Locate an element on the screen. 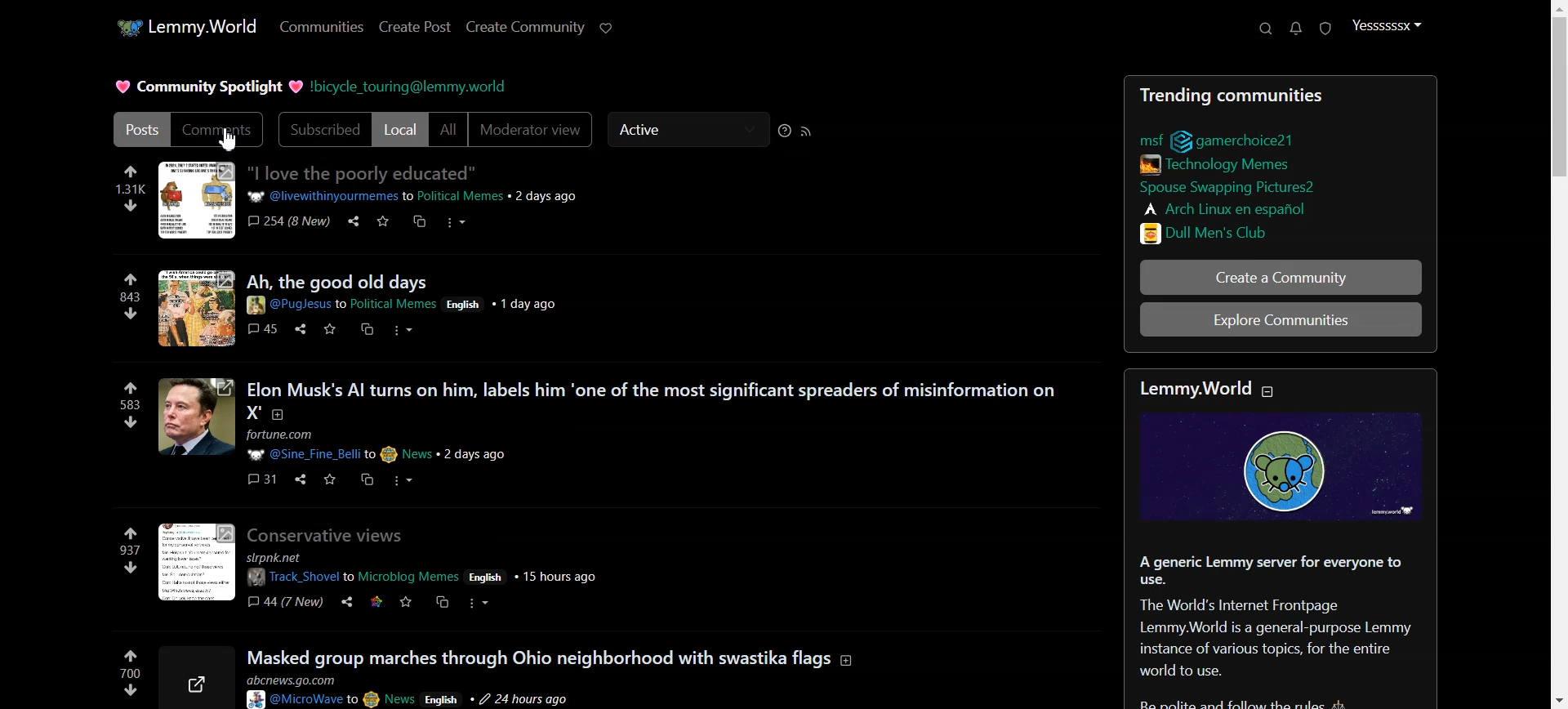 This screenshot has height=709, width=1568.  is located at coordinates (261, 478).